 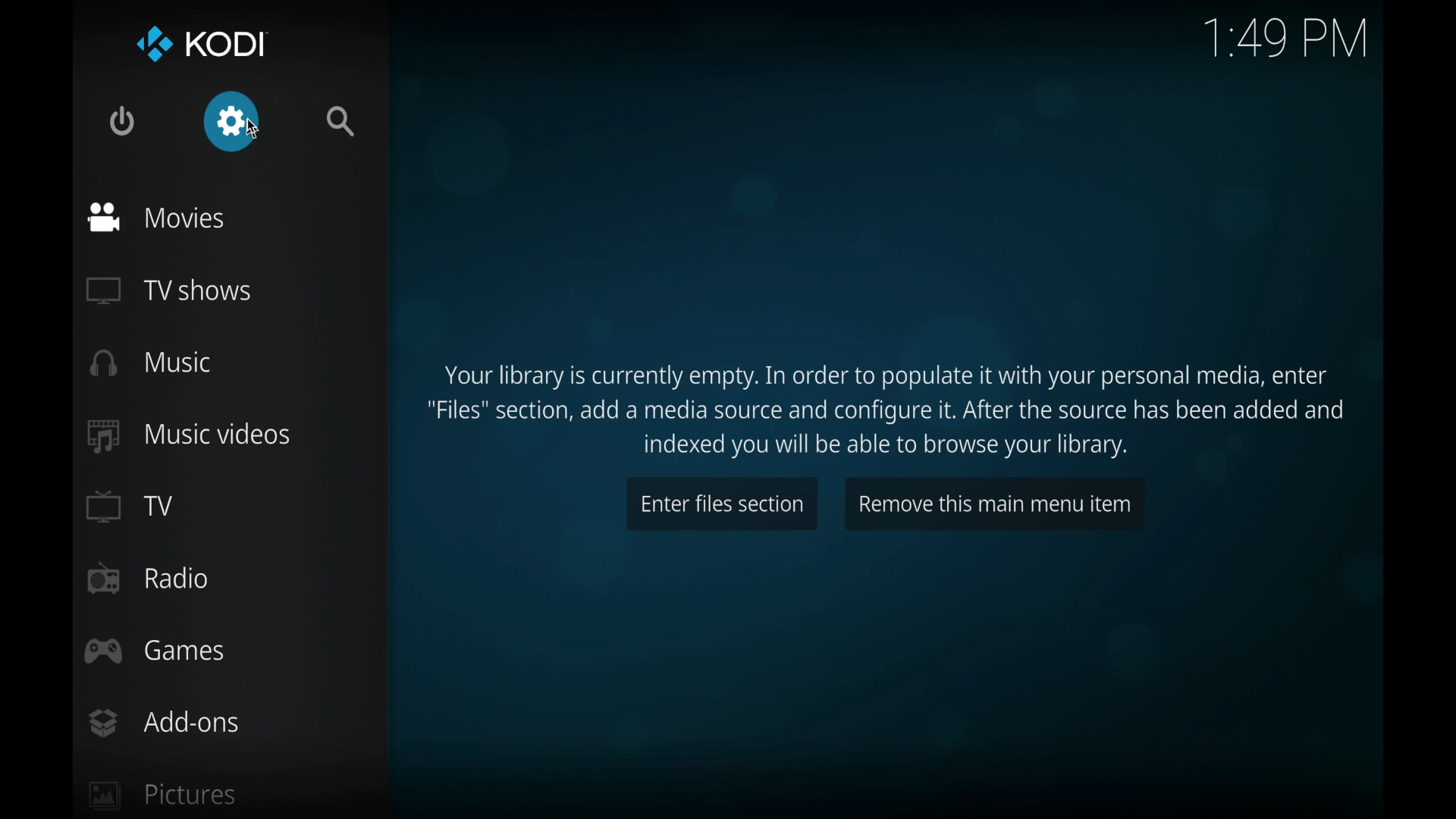 I want to click on quit kodi, so click(x=122, y=121).